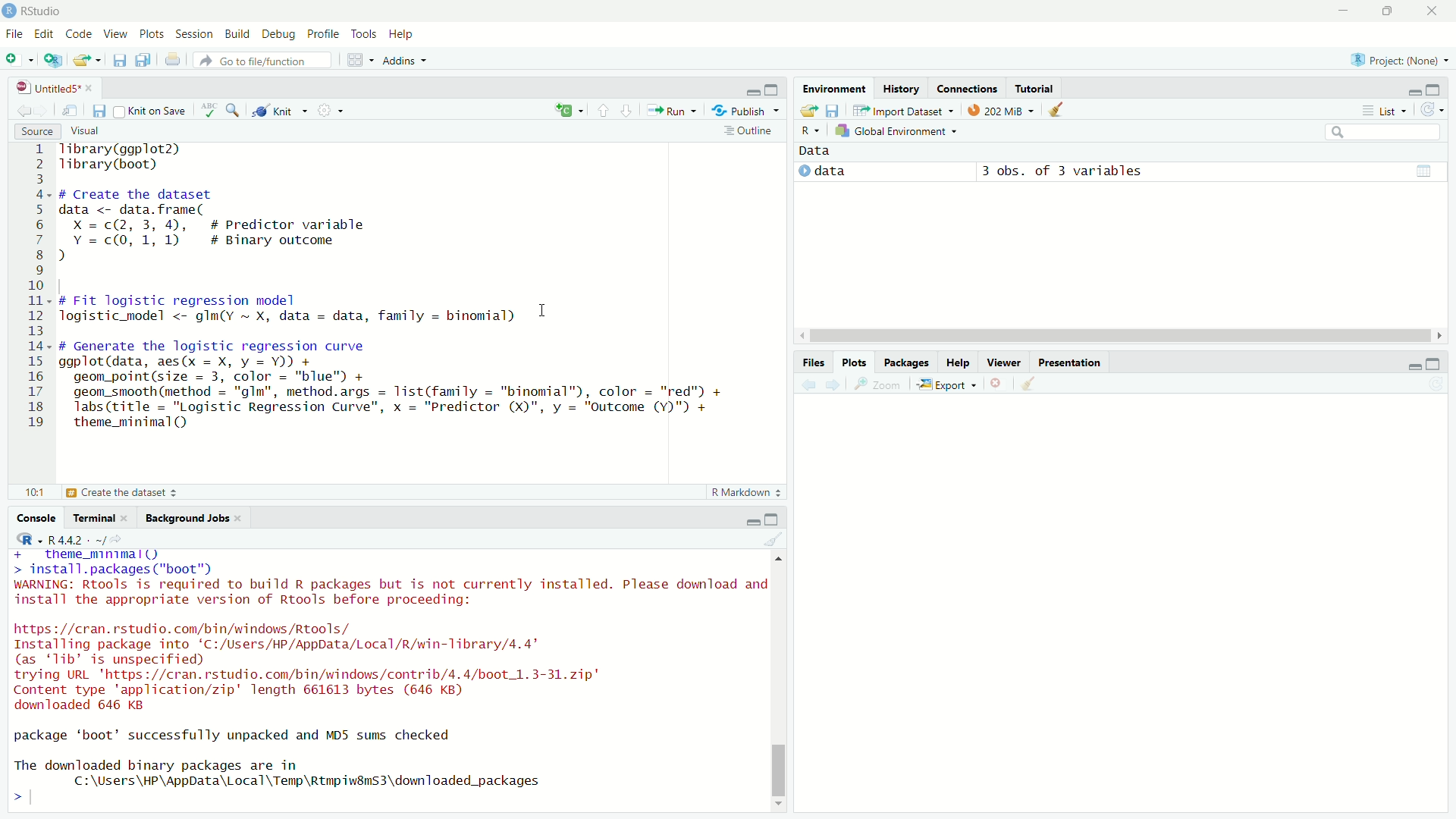 Image resolution: width=1456 pixels, height=819 pixels. What do you see at coordinates (406, 60) in the screenshot?
I see `Addins` at bounding box center [406, 60].